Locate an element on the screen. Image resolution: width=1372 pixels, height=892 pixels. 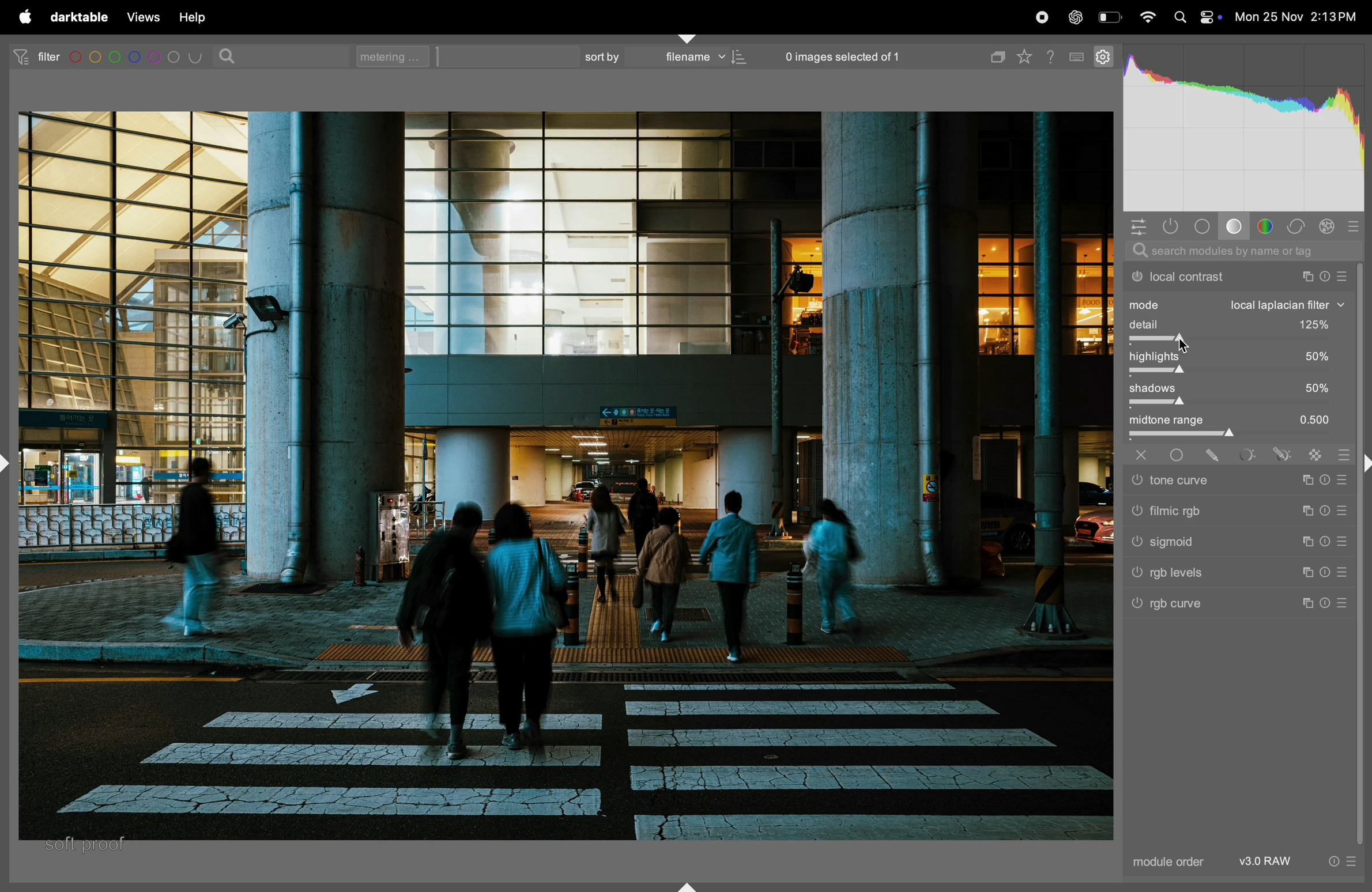
preset is located at coordinates (1343, 573).